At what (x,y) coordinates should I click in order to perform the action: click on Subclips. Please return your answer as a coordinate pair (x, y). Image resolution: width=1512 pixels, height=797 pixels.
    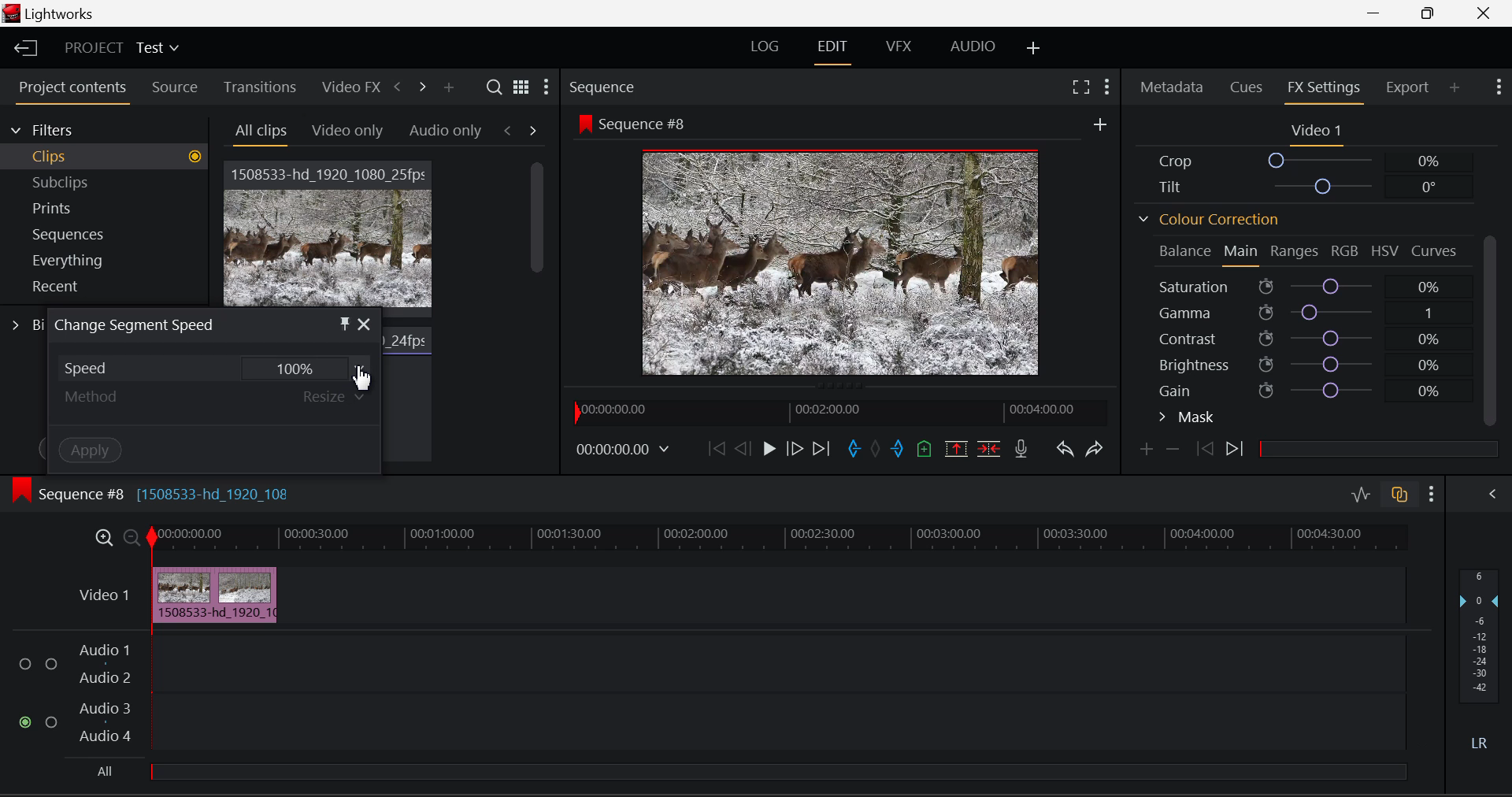
    Looking at the image, I should click on (114, 182).